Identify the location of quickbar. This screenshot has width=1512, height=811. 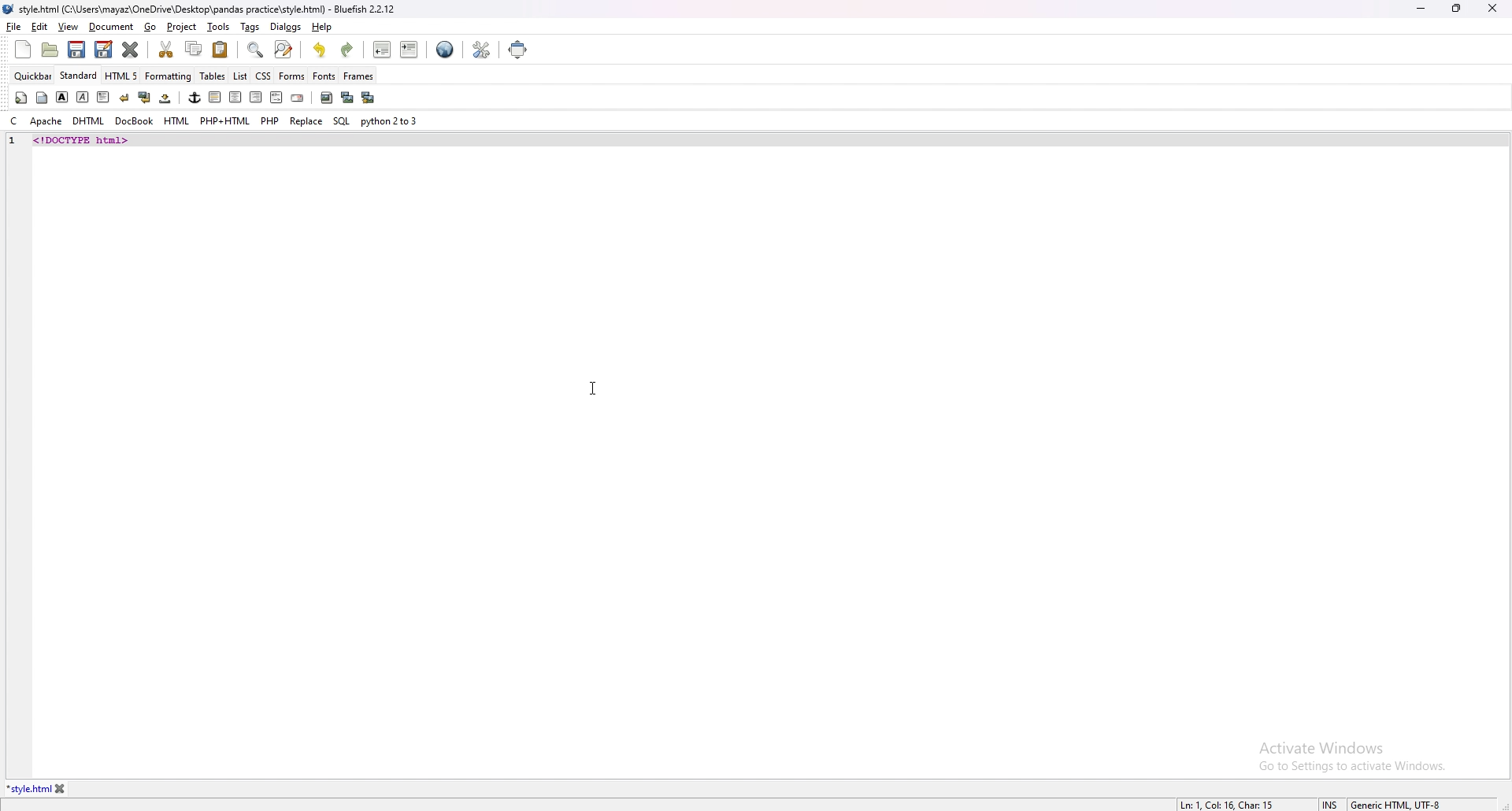
(34, 76).